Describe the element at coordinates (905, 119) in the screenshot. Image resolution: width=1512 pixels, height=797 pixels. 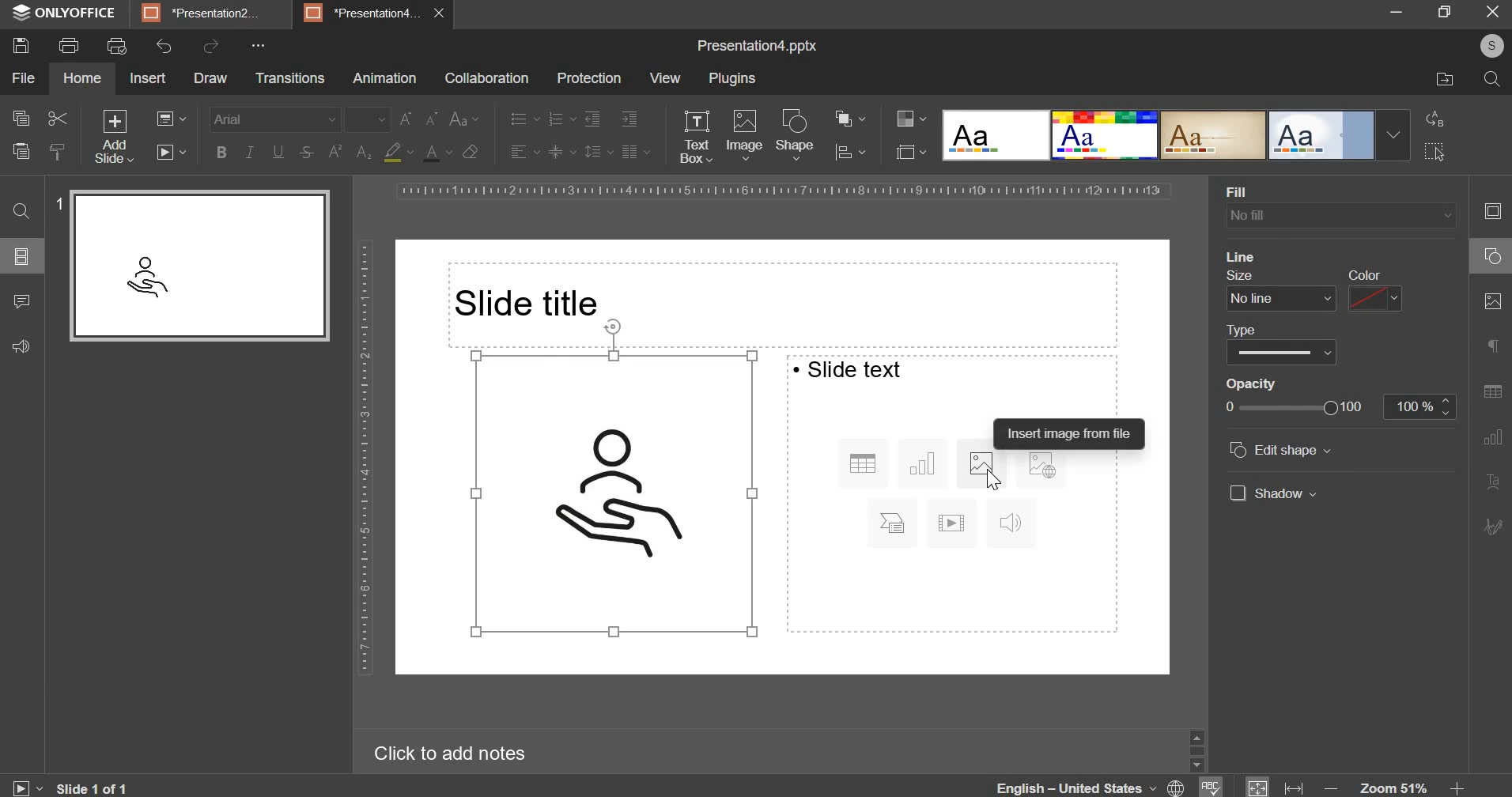
I see `change color theme` at that location.